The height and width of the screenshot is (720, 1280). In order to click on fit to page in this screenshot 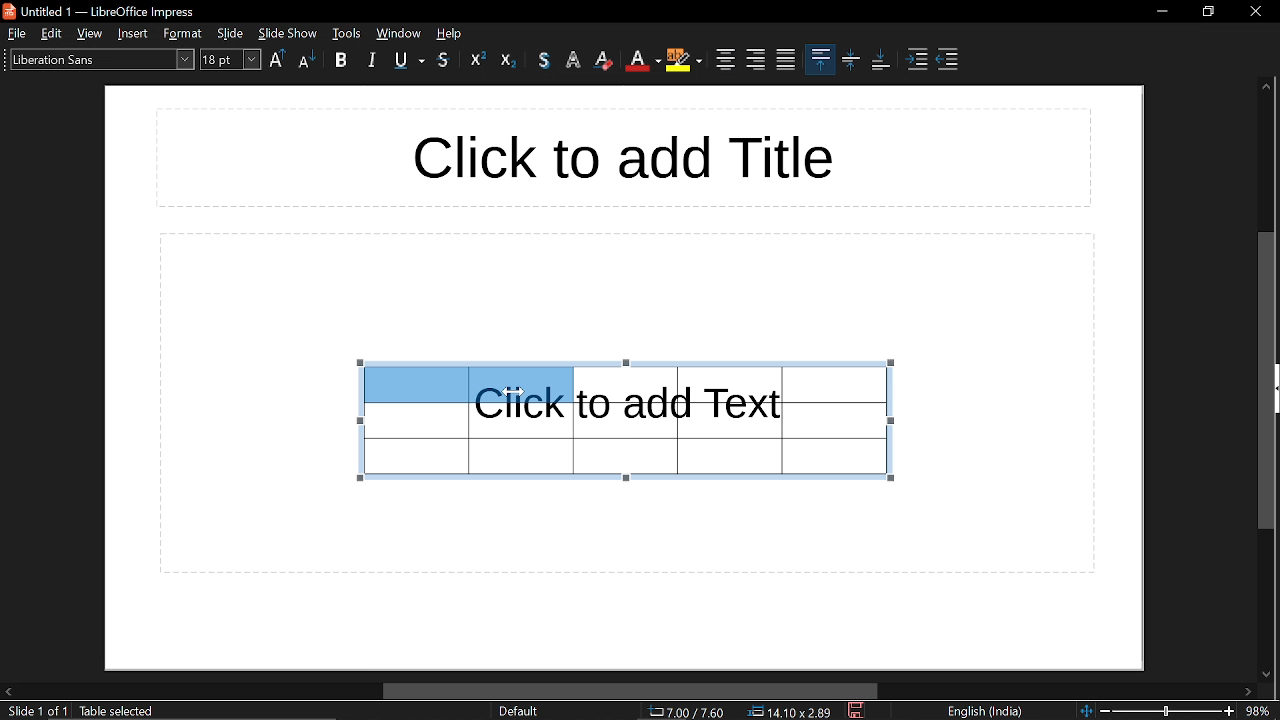, I will do `click(1085, 710)`.